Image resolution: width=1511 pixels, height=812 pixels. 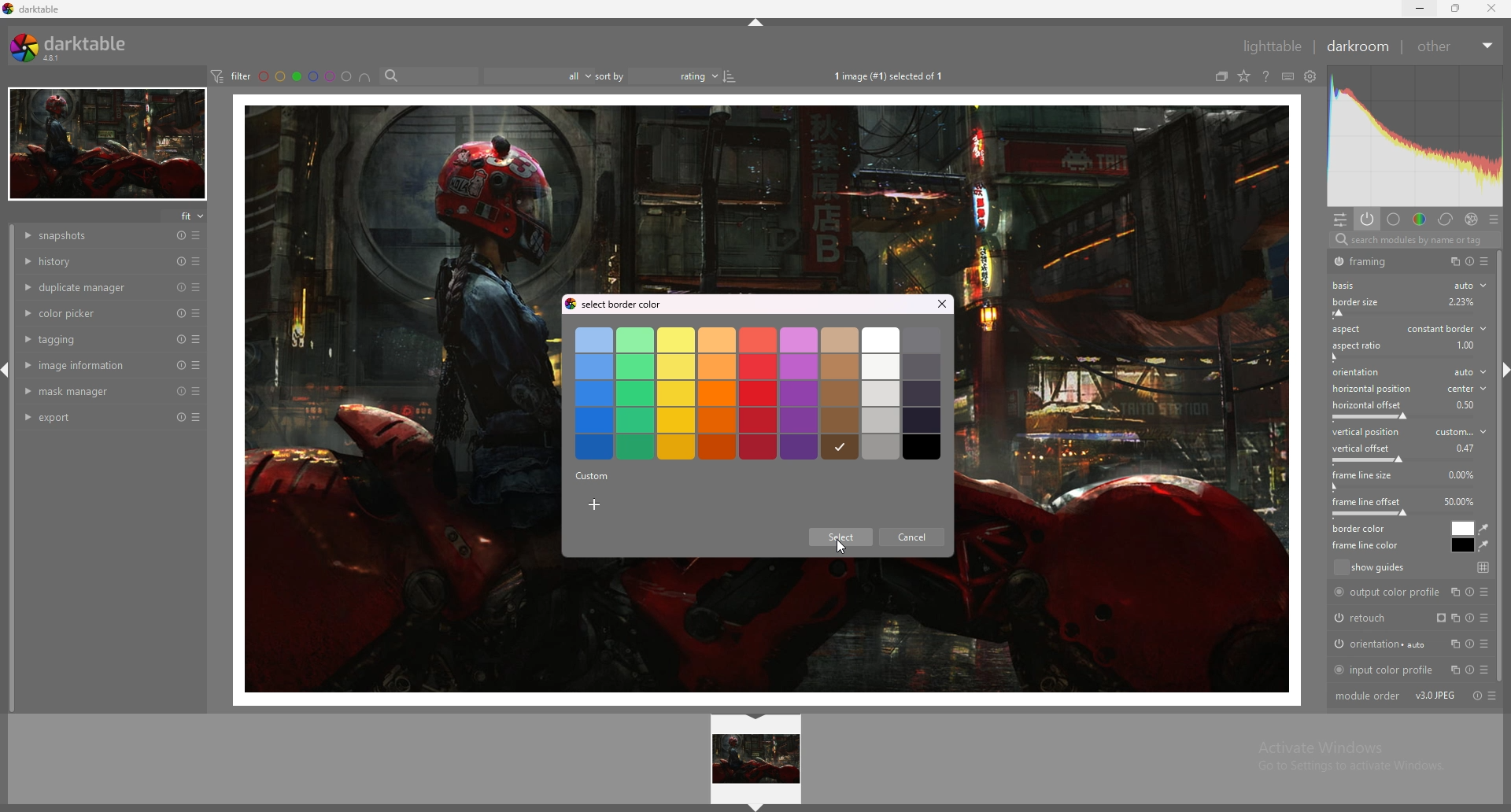 What do you see at coordinates (1410, 568) in the screenshot?
I see `show guides` at bounding box center [1410, 568].